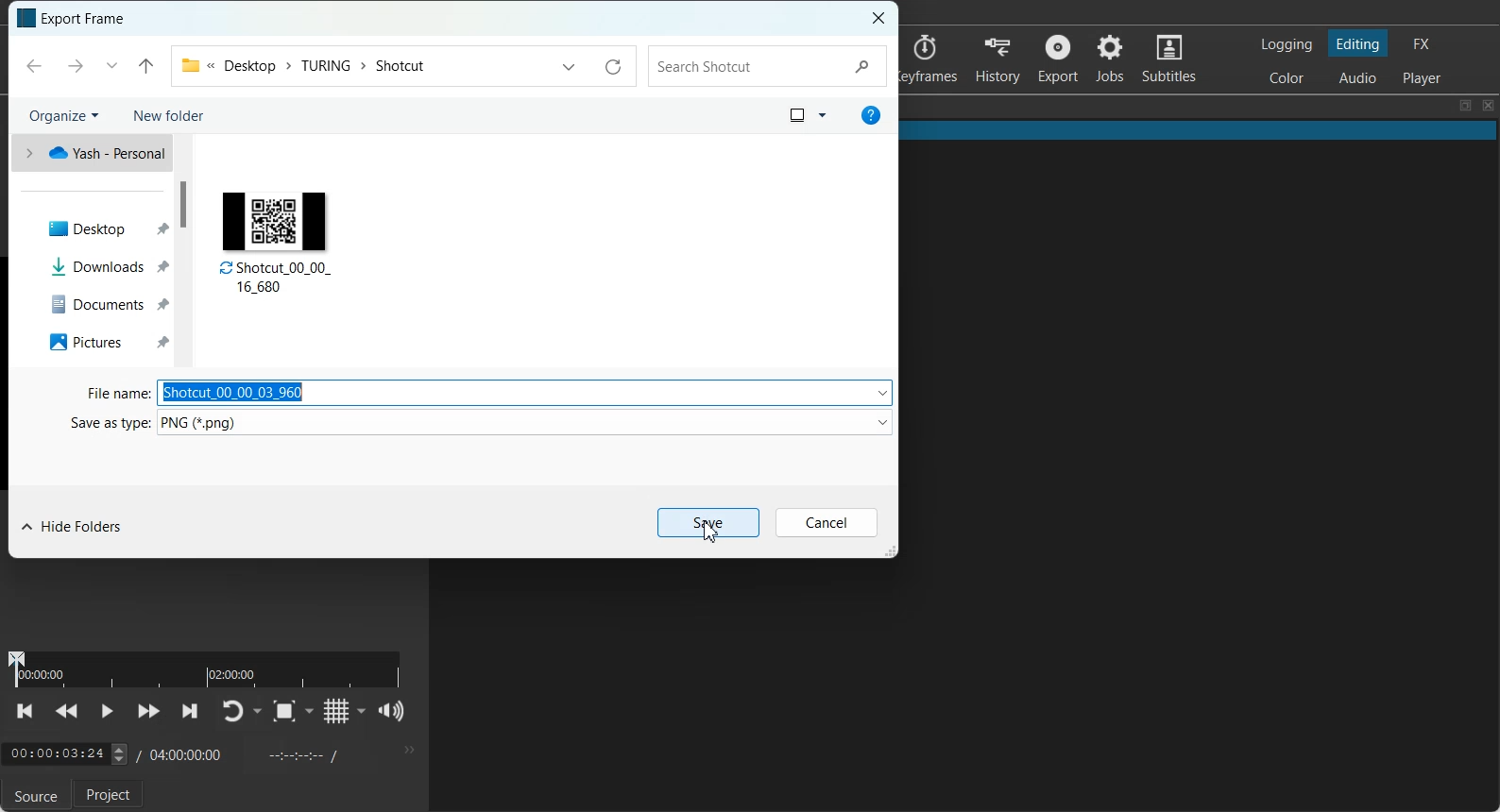 This screenshot has width=1500, height=812. What do you see at coordinates (169, 114) in the screenshot?
I see `New Folder` at bounding box center [169, 114].